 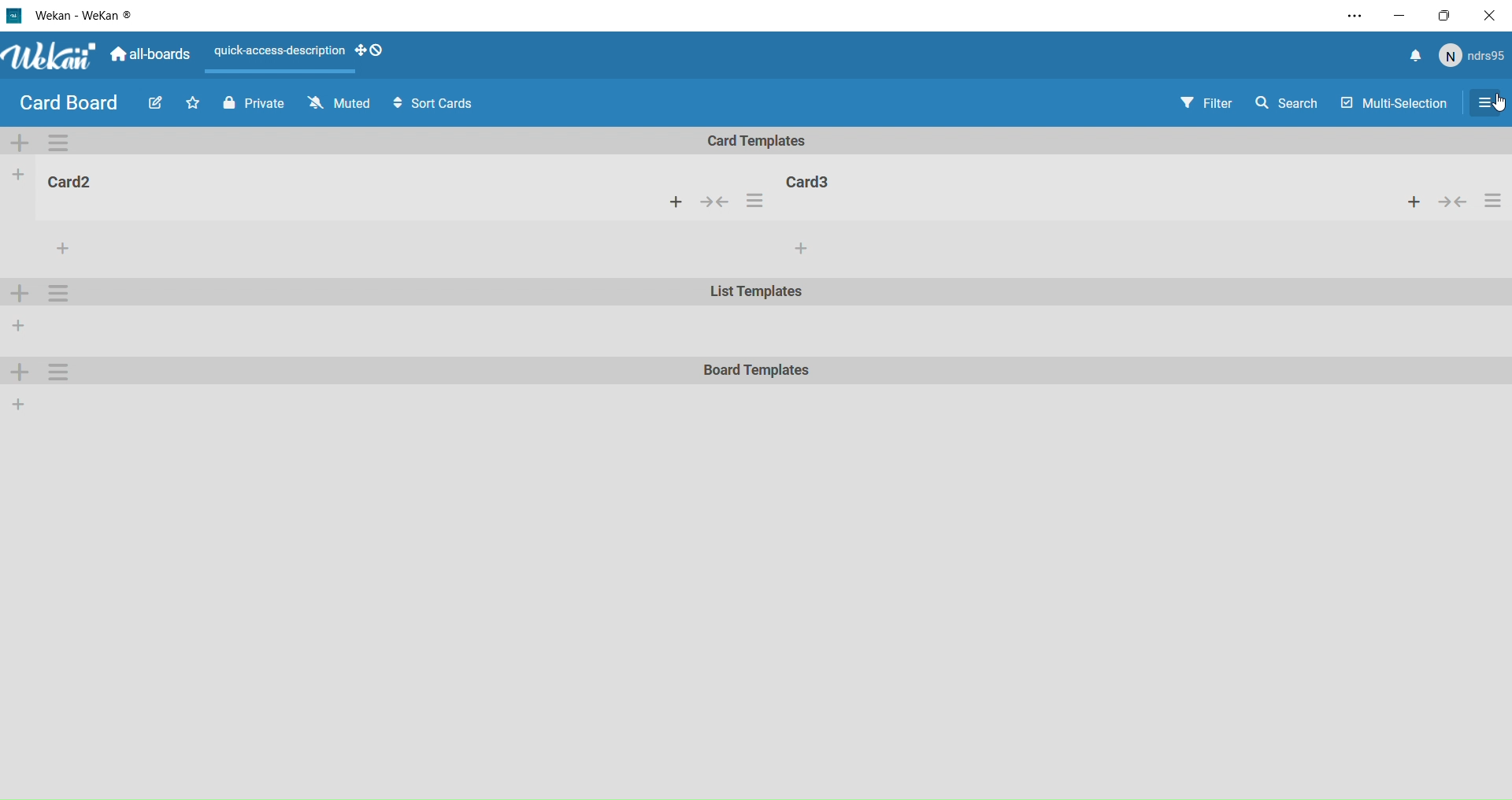 I want to click on , so click(x=17, y=329).